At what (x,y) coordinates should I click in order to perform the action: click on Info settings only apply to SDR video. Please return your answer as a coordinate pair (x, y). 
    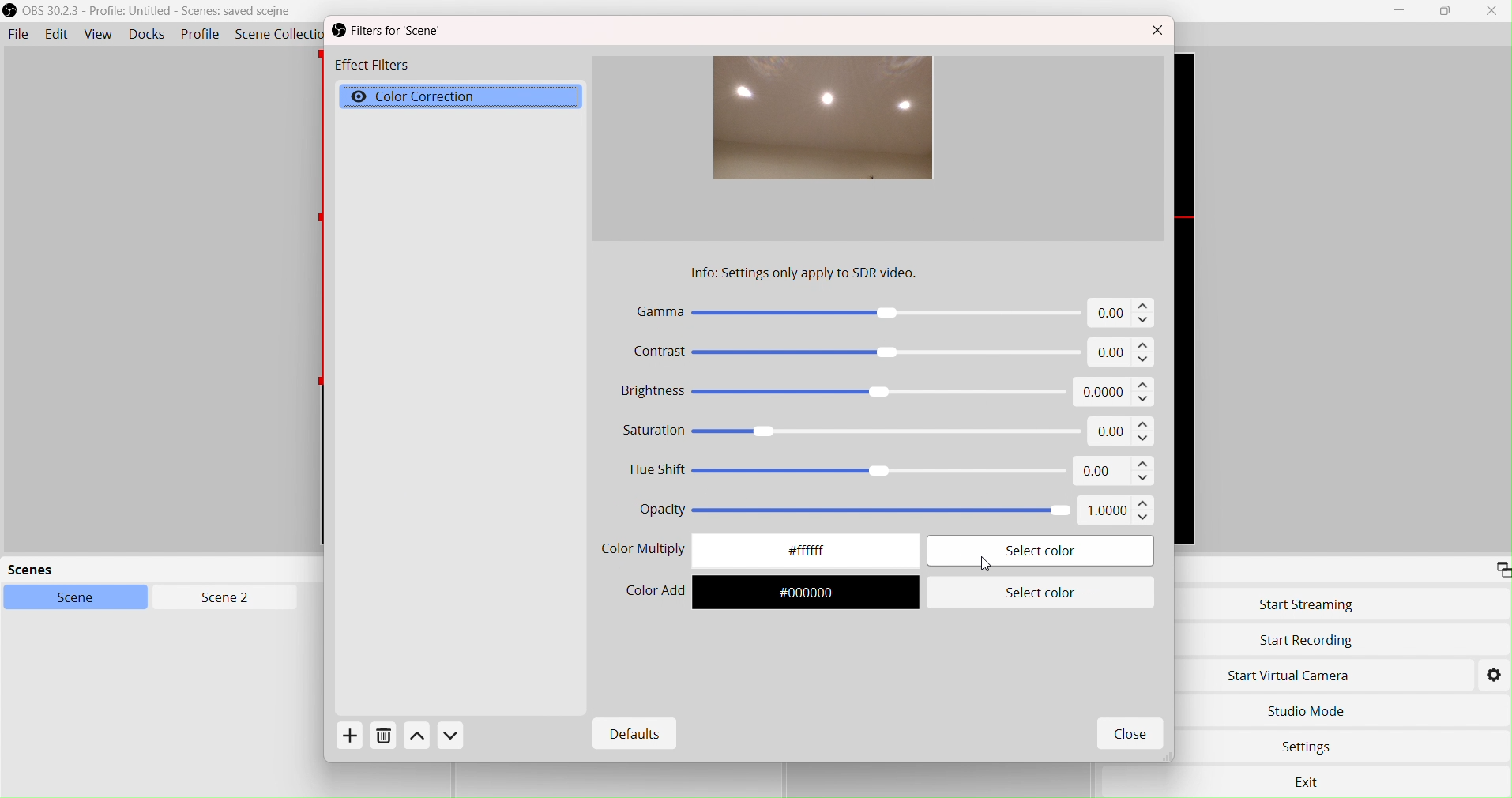
    Looking at the image, I should click on (868, 271).